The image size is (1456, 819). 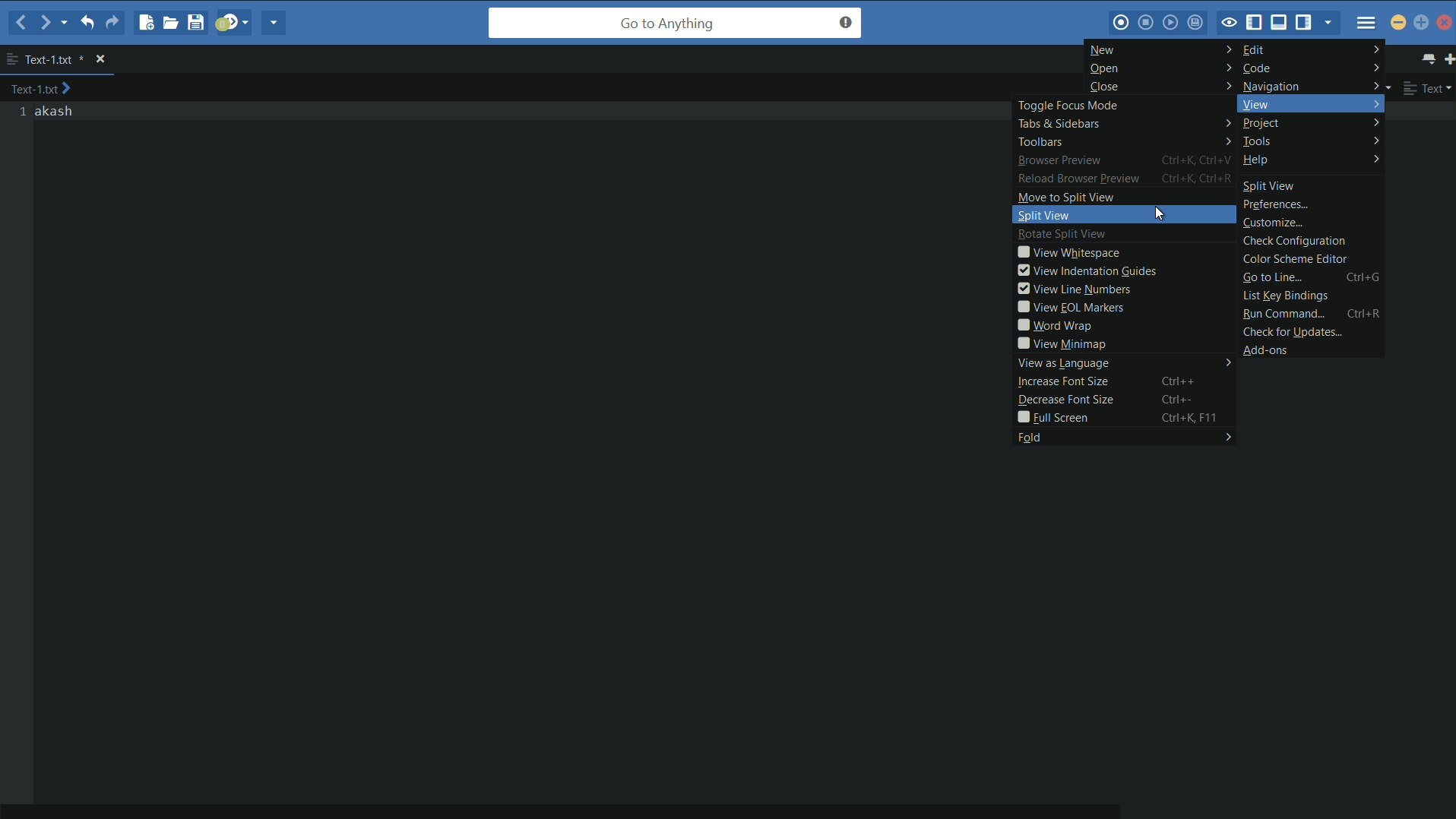 I want to click on go to anything search bar, so click(x=676, y=23).